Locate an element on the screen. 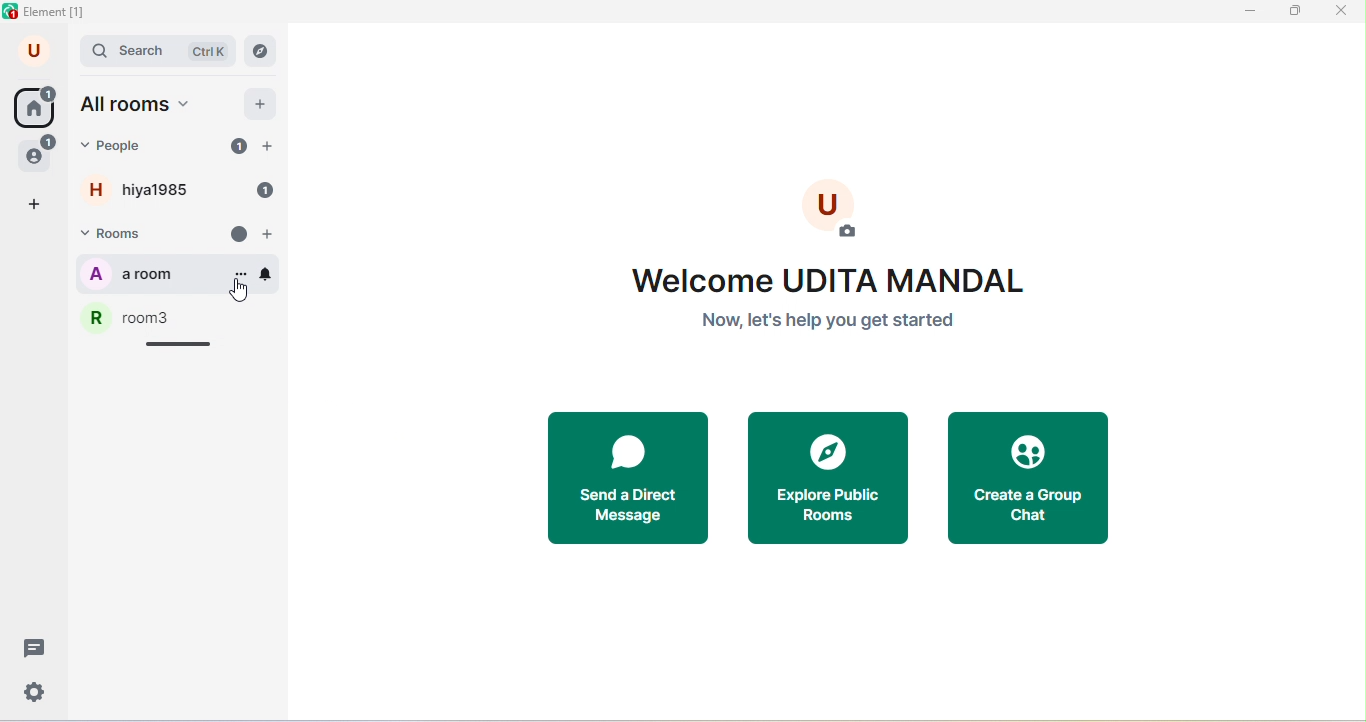 The width and height of the screenshot is (1366, 722). close is located at coordinates (1341, 12).